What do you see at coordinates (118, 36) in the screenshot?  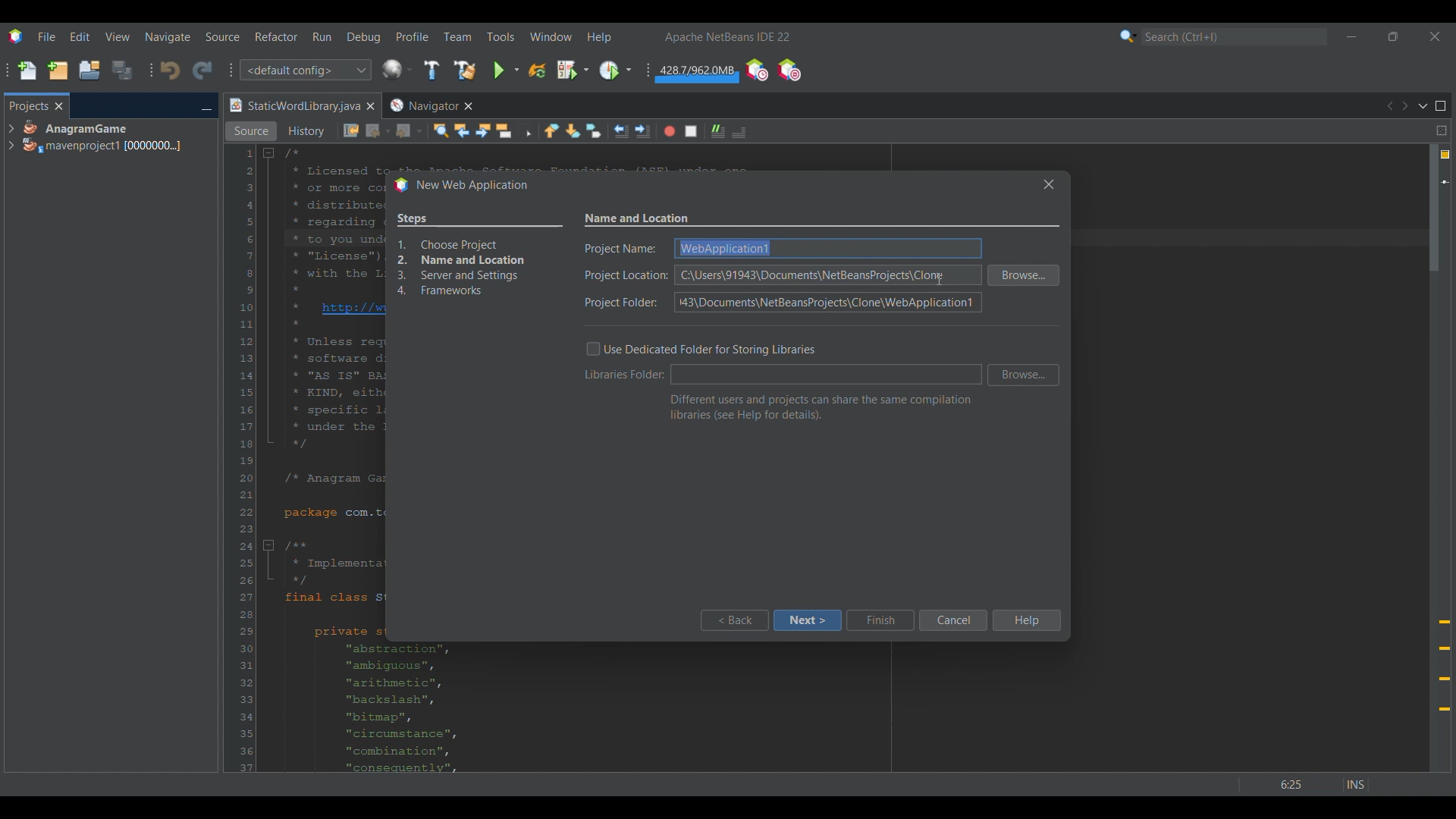 I see `View menu` at bounding box center [118, 36].